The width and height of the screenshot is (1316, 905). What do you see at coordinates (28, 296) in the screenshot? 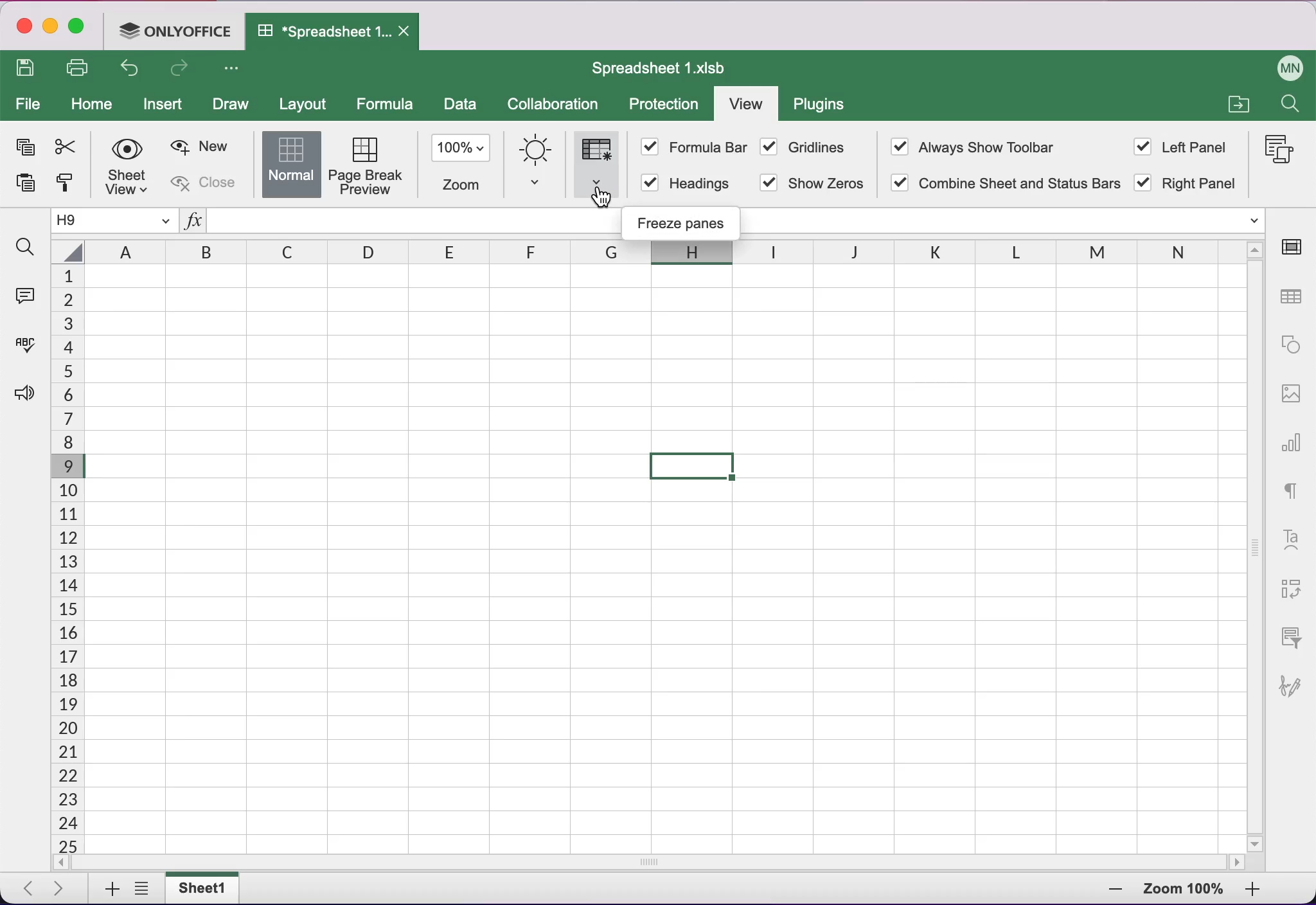
I see `comments` at bounding box center [28, 296].